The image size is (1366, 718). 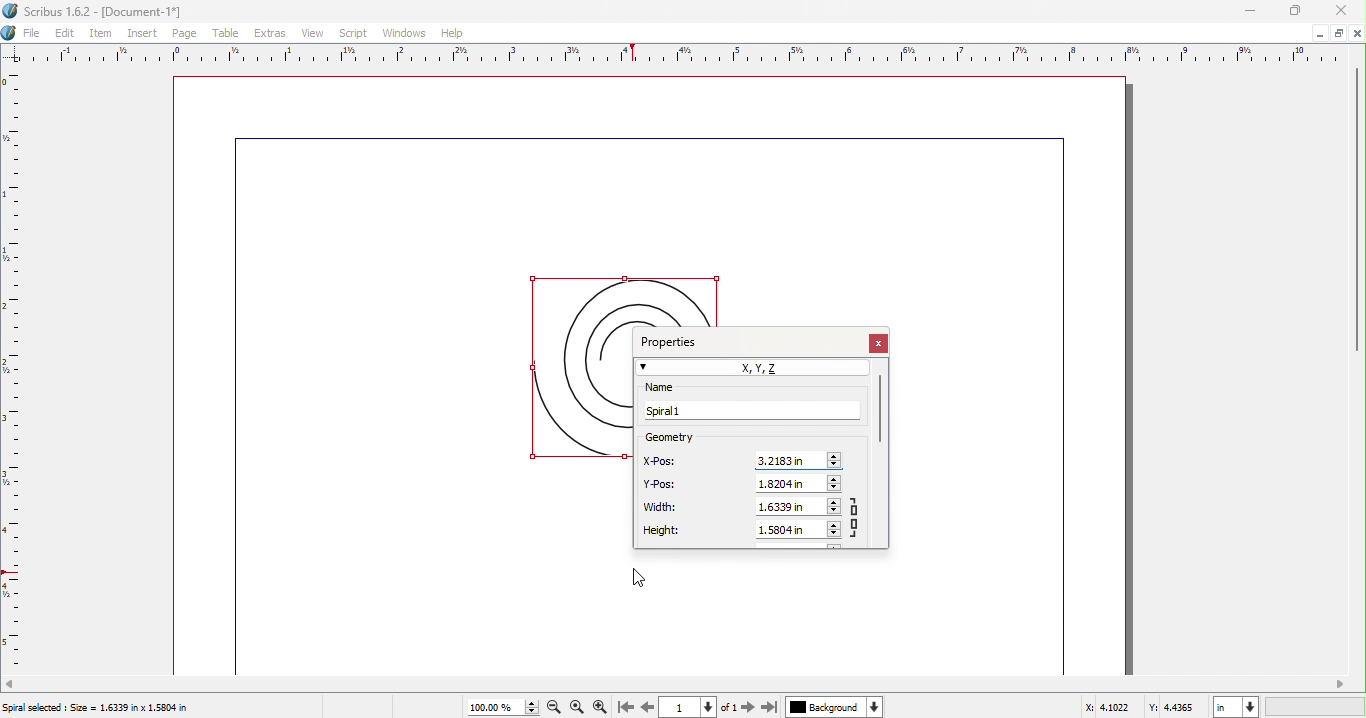 What do you see at coordinates (791, 485) in the screenshot?
I see `Vertical position of current basepoint` at bounding box center [791, 485].